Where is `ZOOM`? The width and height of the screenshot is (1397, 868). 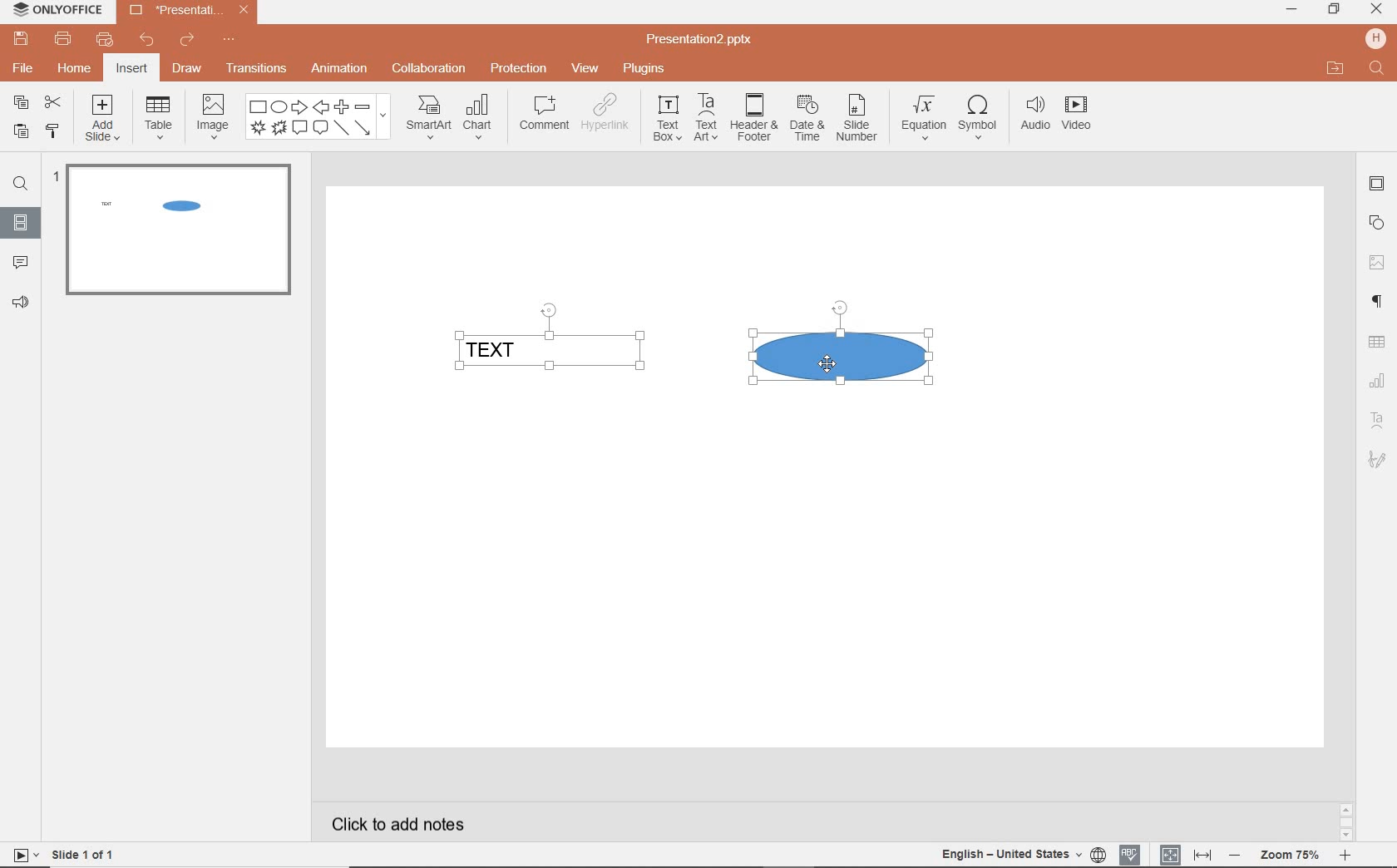
ZOOM is located at coordinates (1289, 857).